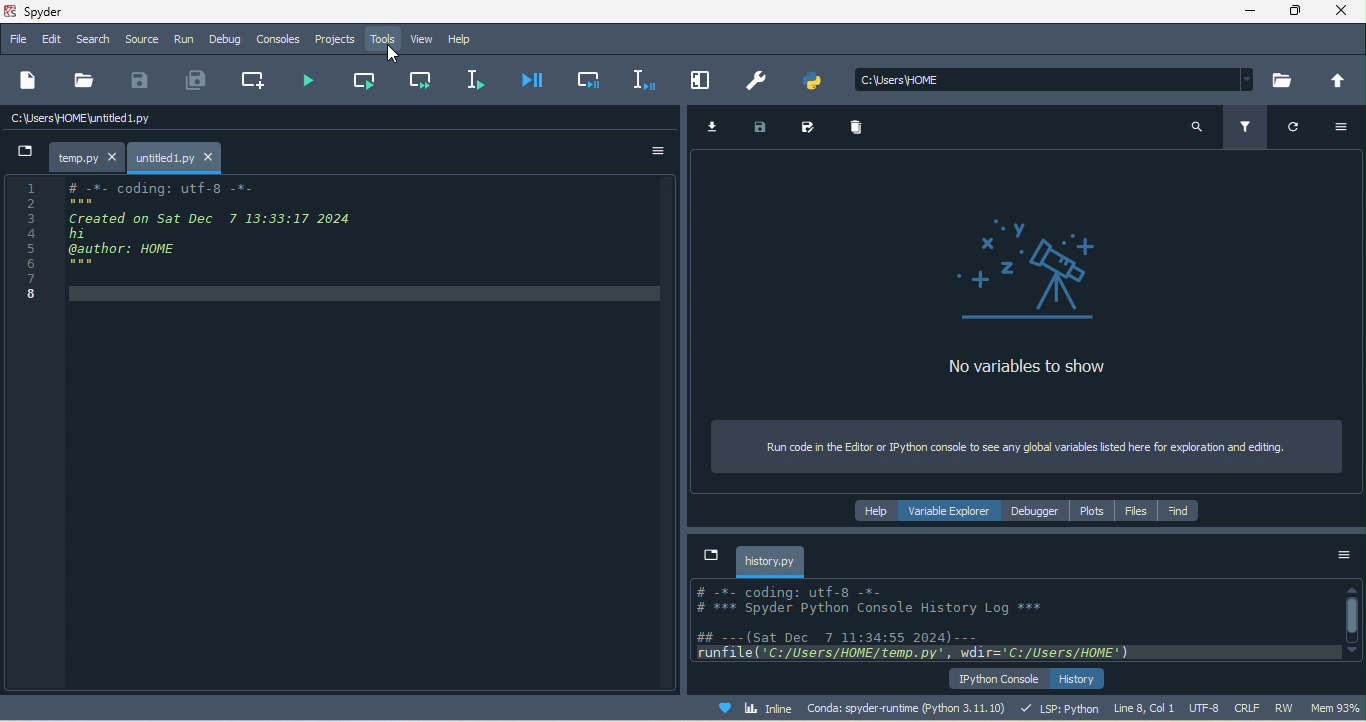 This screenshot has height=722, width=1366. What do you see at coordinates (760, 707) in the screenshot?
I see `inline` at bounding box center [760, 707].